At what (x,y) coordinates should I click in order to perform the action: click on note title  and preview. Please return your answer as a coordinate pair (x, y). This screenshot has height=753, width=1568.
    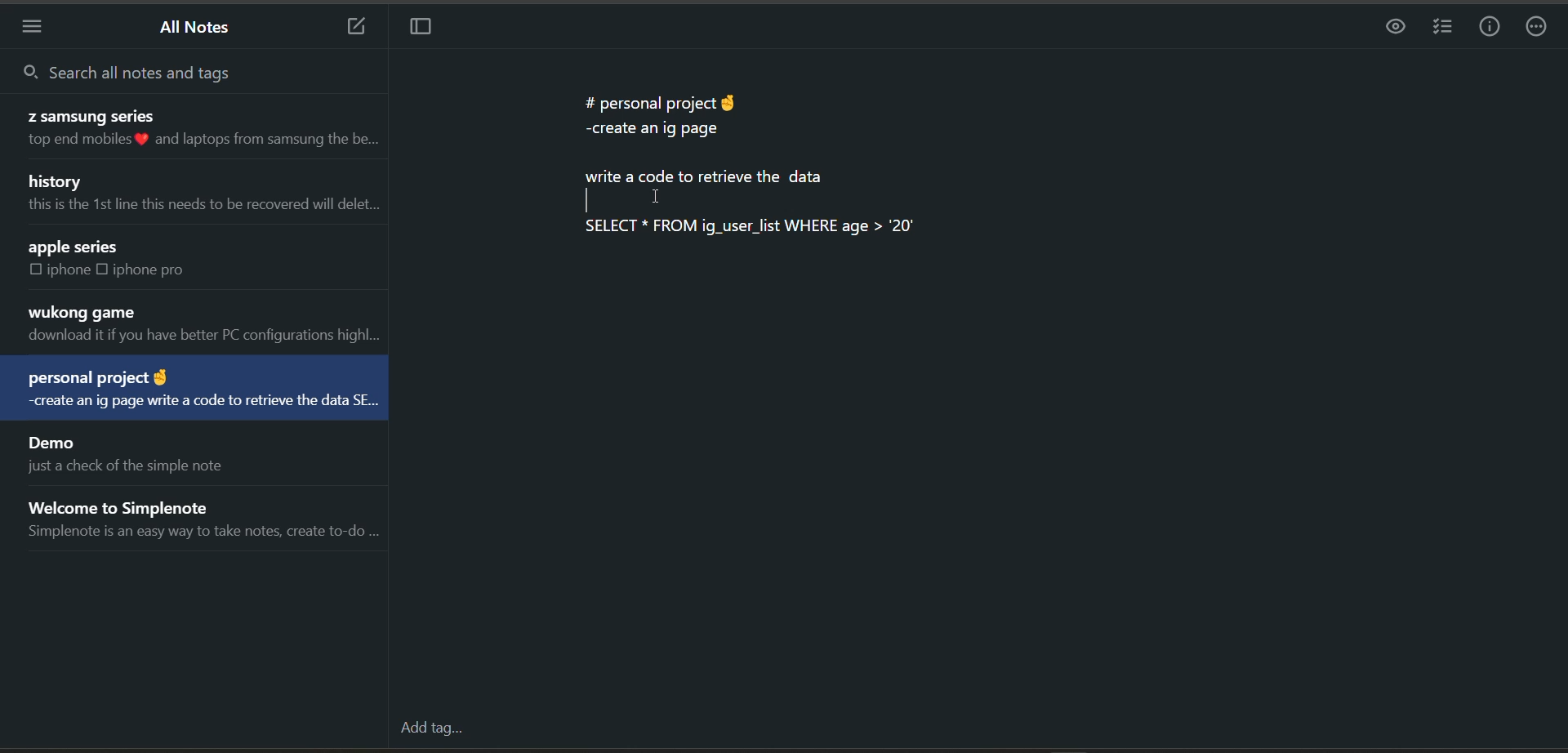
    Looking at the image, I should click on (201, 325).